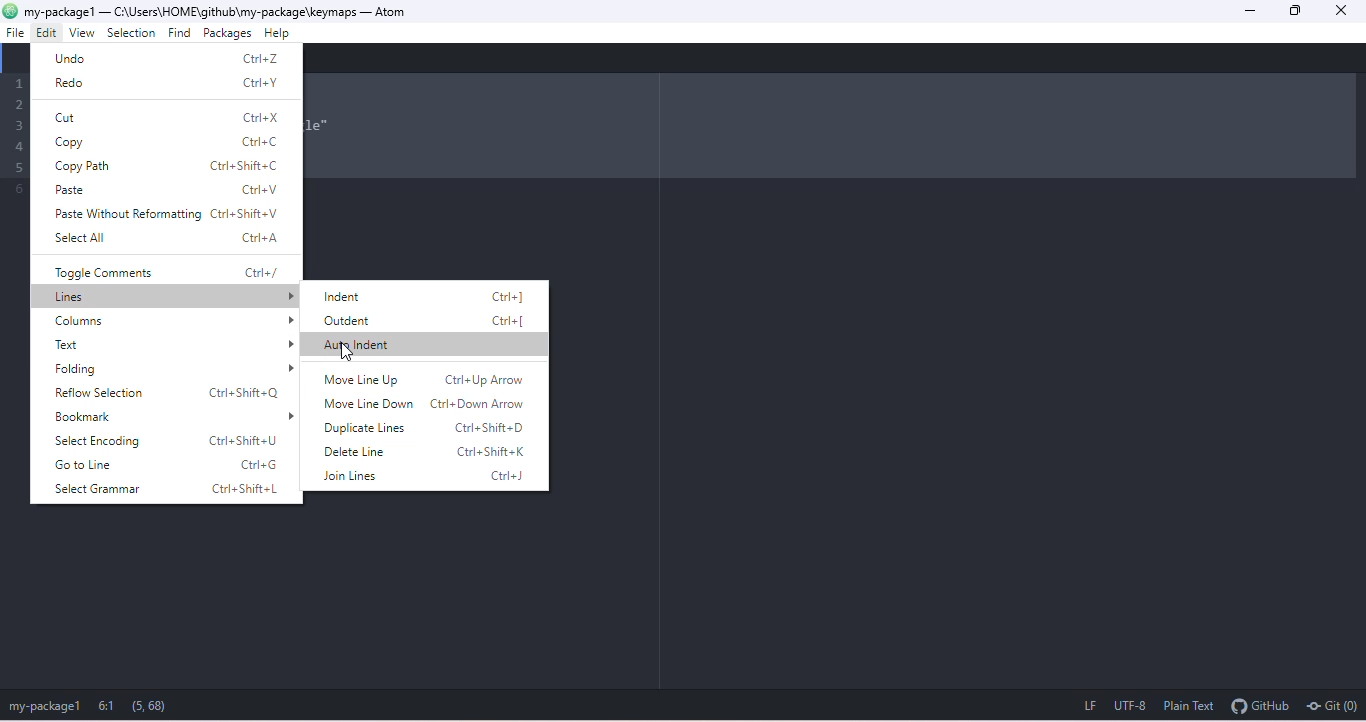 This screenshot has width=1366, height=722. I want to click on 6:1, so click(110, 706).